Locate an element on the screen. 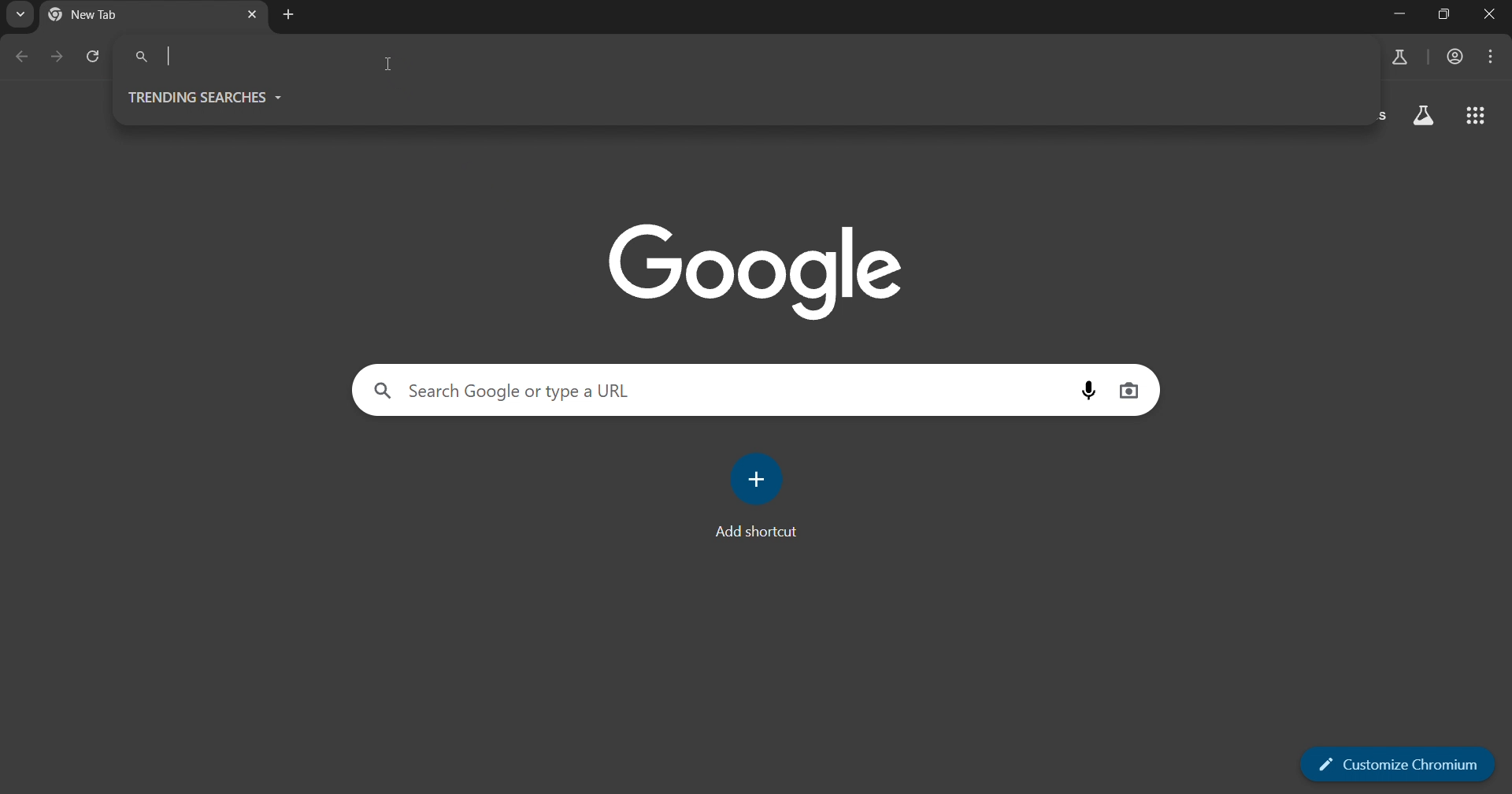 Image resolution: width=1512 pixels, height=794 pixels. search panel is located at coordinates (234, 58).